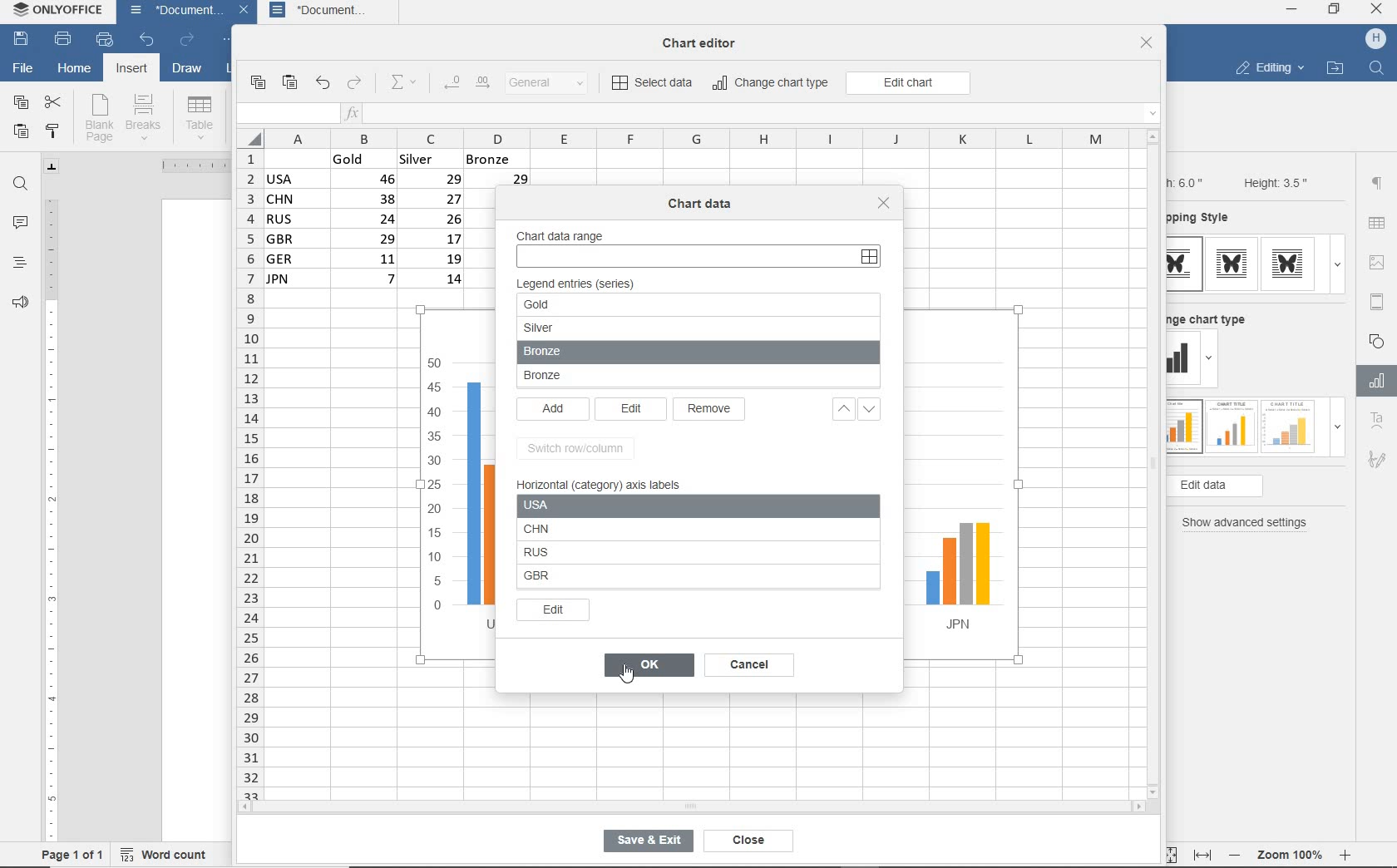  Describe the element at coordinates (257, 83) in the screenshot. I see `copy` at that location.